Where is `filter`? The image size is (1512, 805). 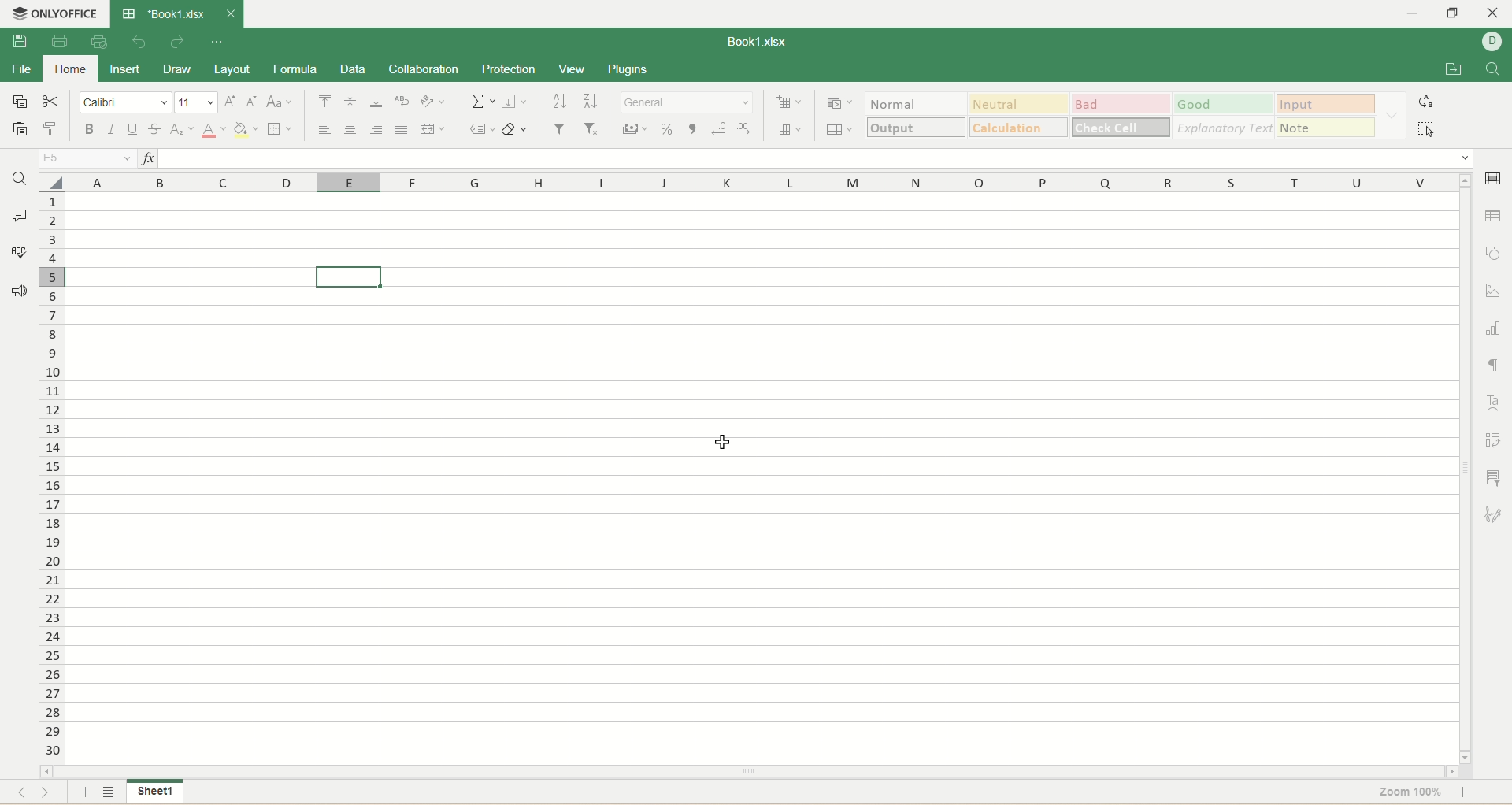 filter is located at coordinates (560, 129).